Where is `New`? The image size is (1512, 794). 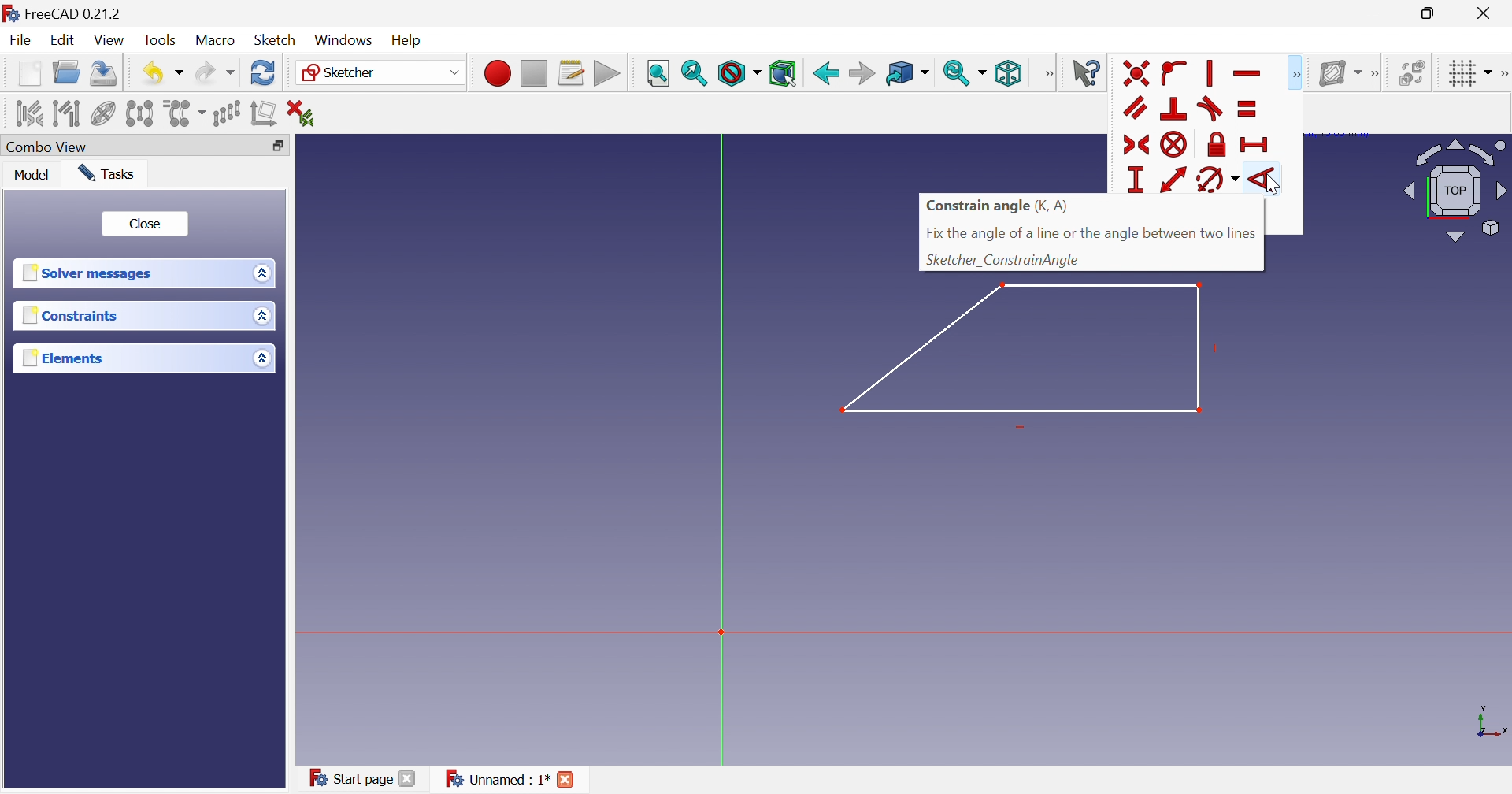 New is located at coordinates (29, 77).